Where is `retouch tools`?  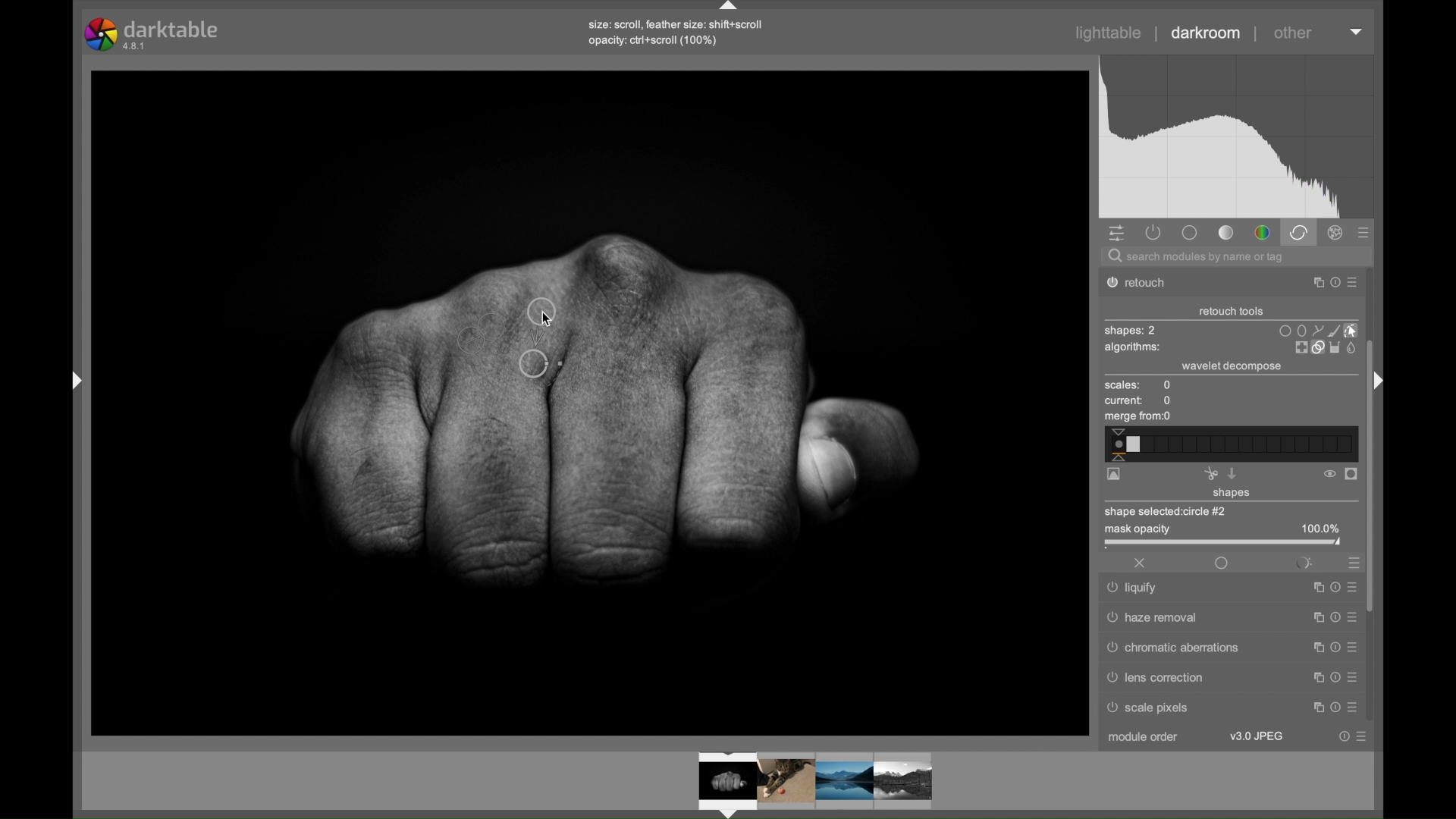
retouch tools is located at coordinates (1232, 312).